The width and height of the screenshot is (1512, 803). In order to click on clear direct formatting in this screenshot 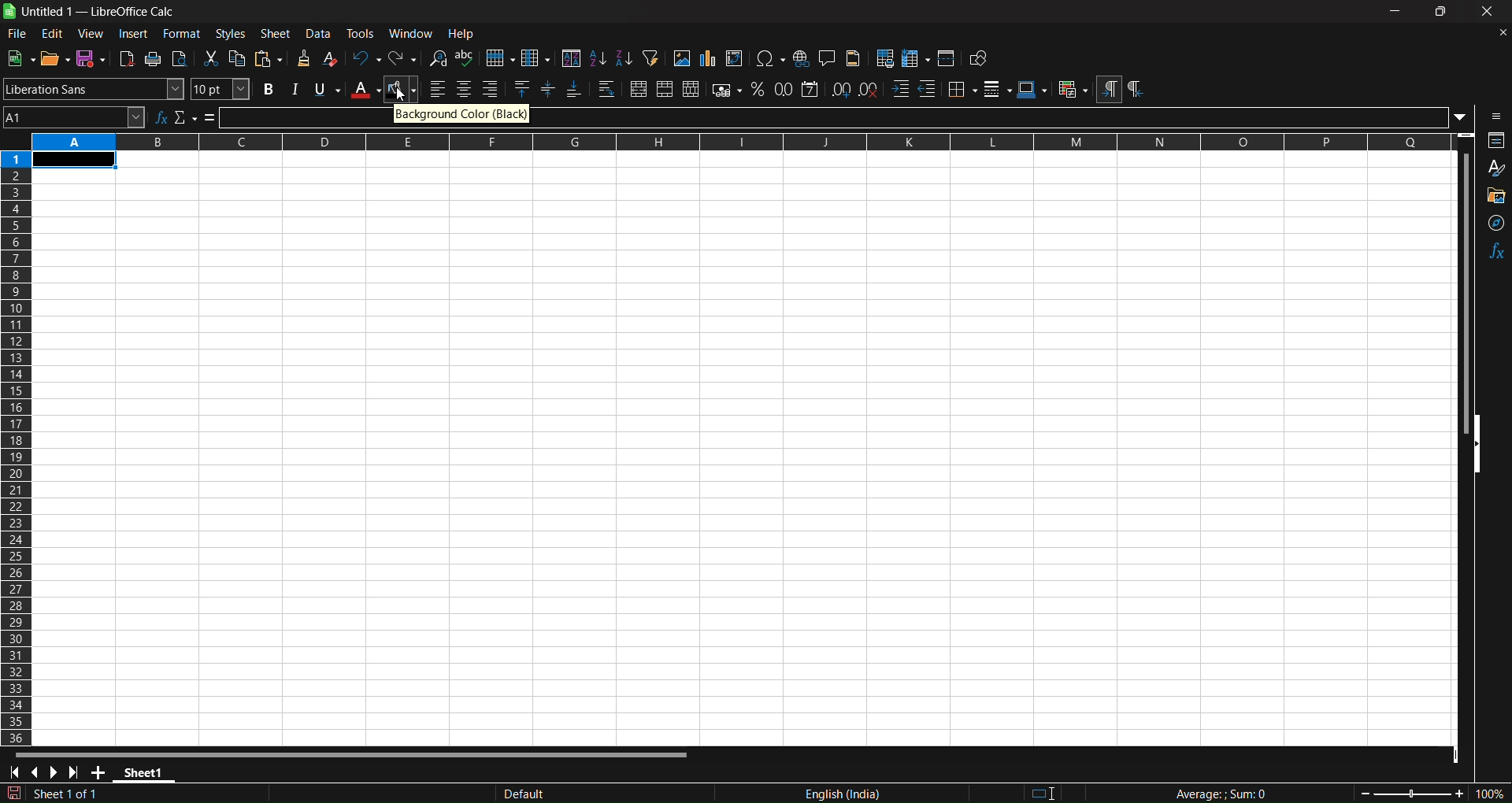, I will do `click(329, 59)`.